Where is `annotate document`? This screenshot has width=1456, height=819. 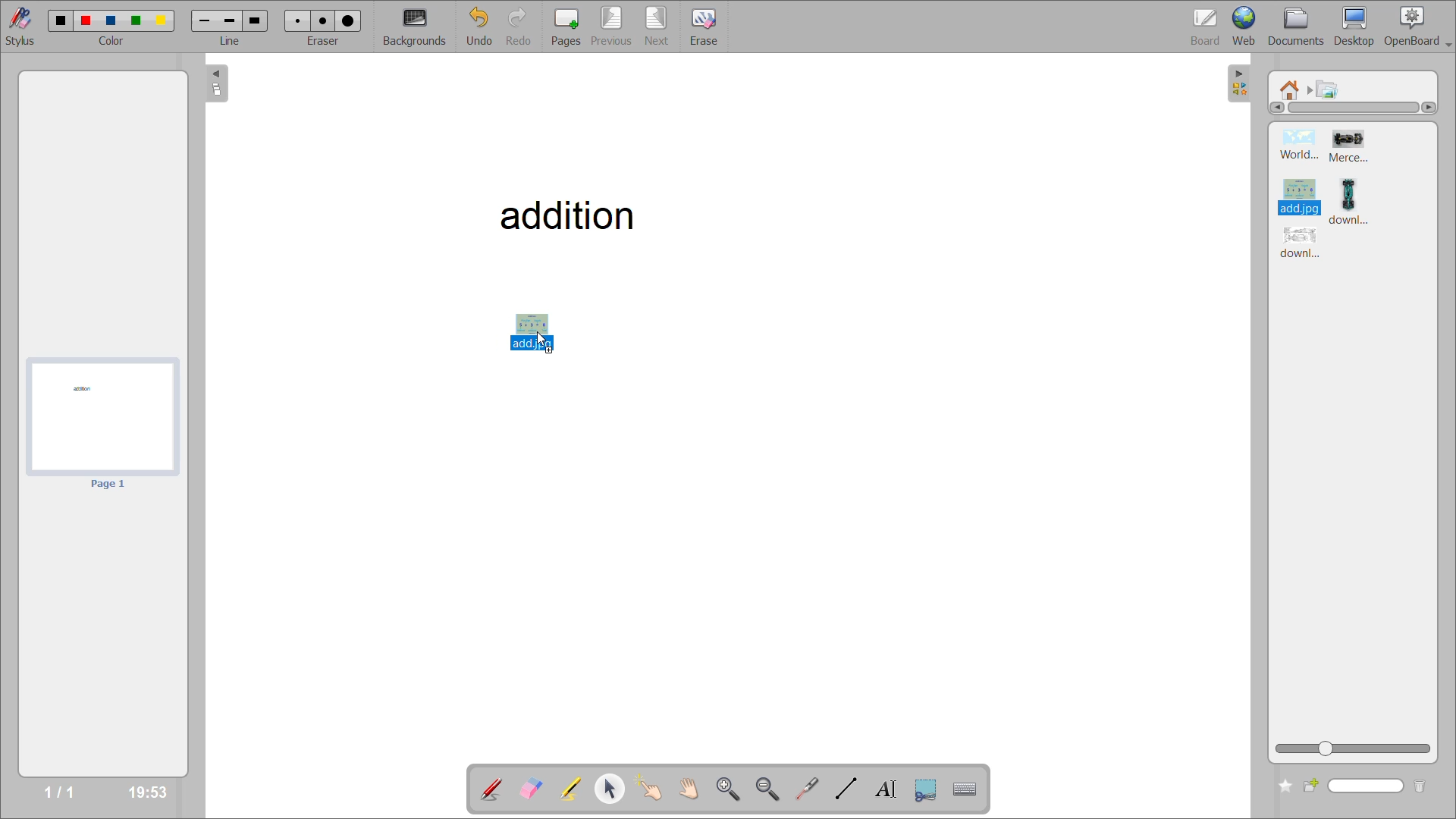 annotate document is located at coordinates (490, 790).